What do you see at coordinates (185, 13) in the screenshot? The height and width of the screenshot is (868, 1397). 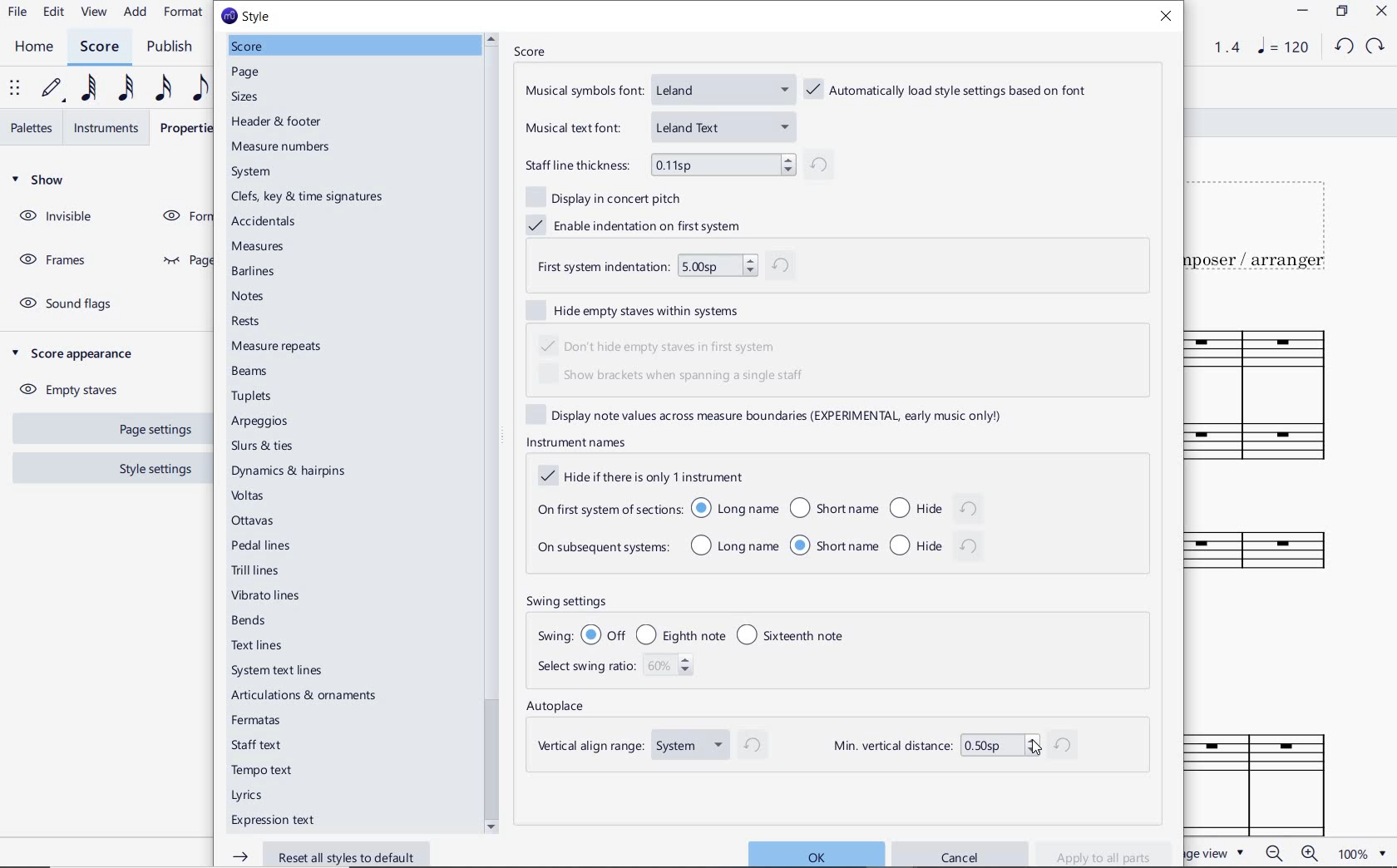 I see `FORMAT` at bounding box center [185, 13].